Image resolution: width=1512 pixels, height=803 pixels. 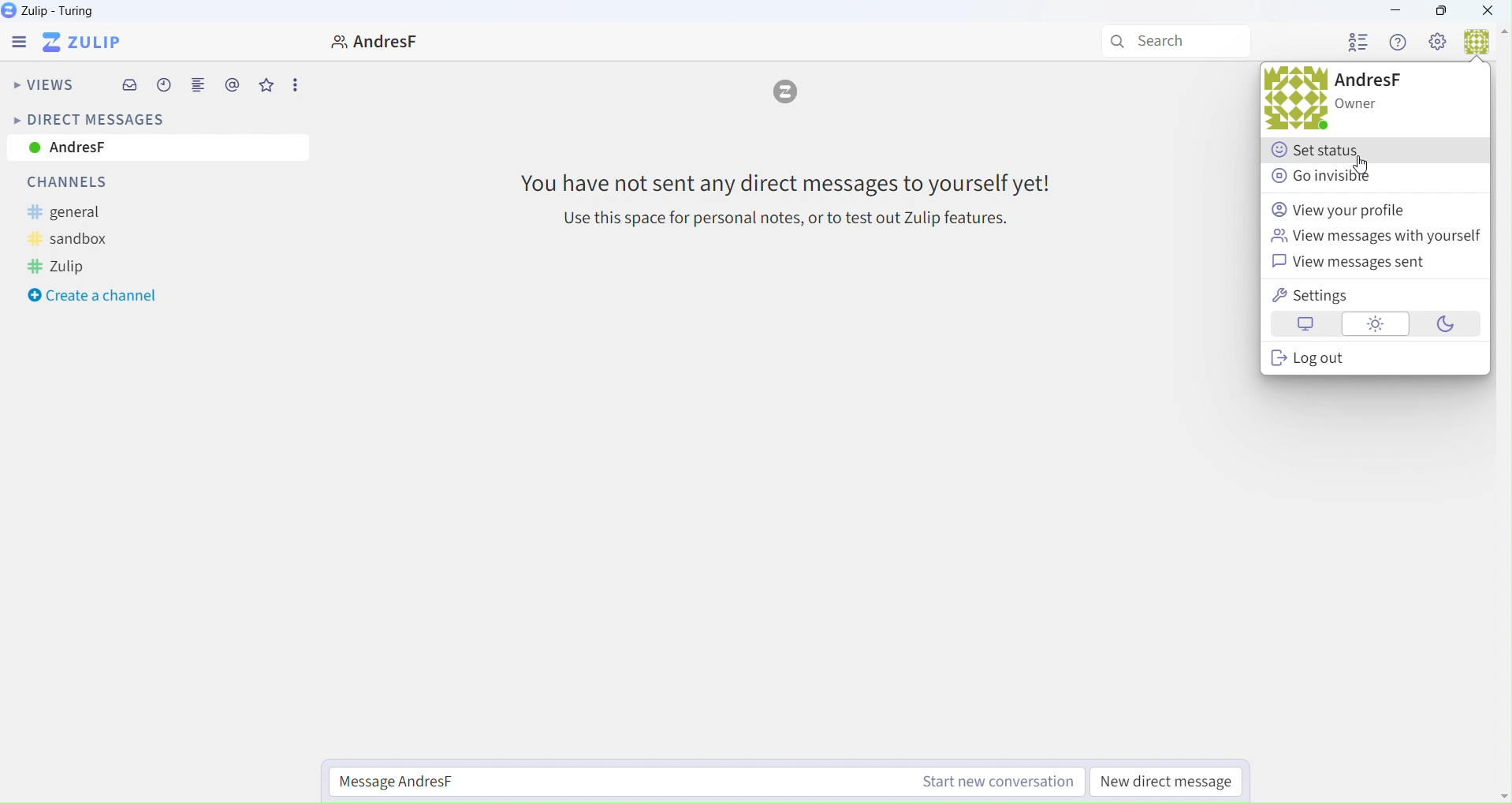 What do you see at coordinates (1339, 175) in the screenshot?
I see `Go Invisible` at bounding box center [1339, 175].